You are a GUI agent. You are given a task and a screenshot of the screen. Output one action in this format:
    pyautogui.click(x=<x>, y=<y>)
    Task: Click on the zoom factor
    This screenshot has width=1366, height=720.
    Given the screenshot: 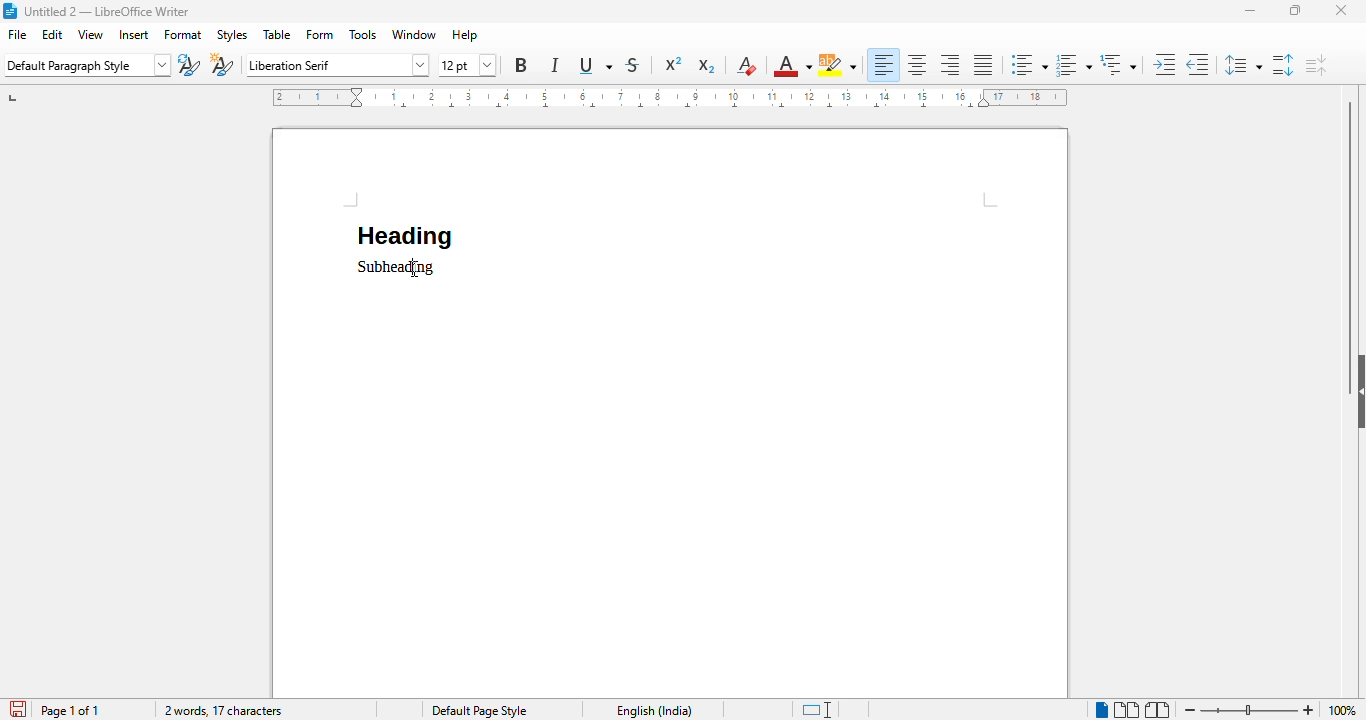 What is the action you would take?
    pyautogui.click(x=1342, y=711)
    